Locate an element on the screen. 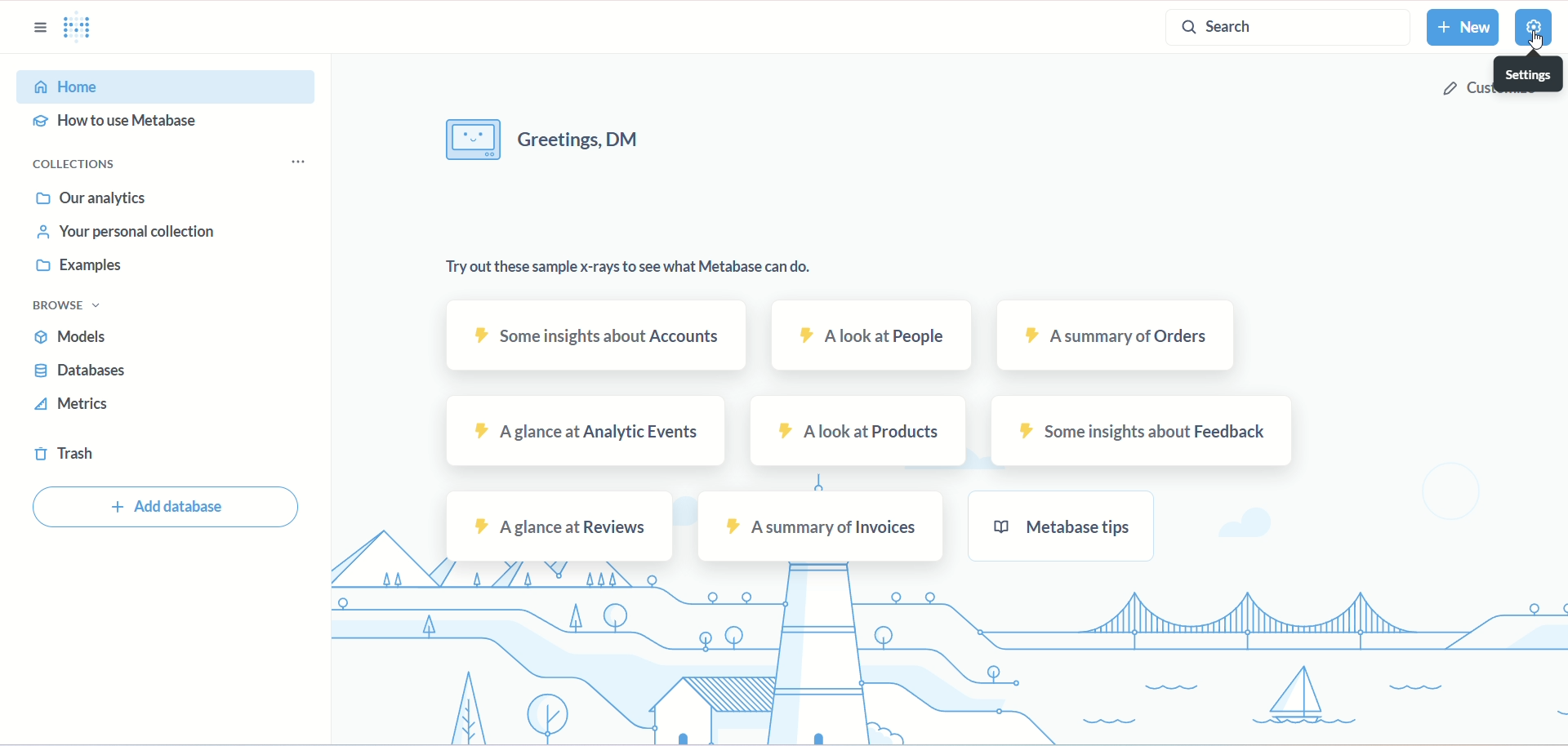 The height and width of the screenshot is (746, 1568). text is located at coordinates (548, 143).